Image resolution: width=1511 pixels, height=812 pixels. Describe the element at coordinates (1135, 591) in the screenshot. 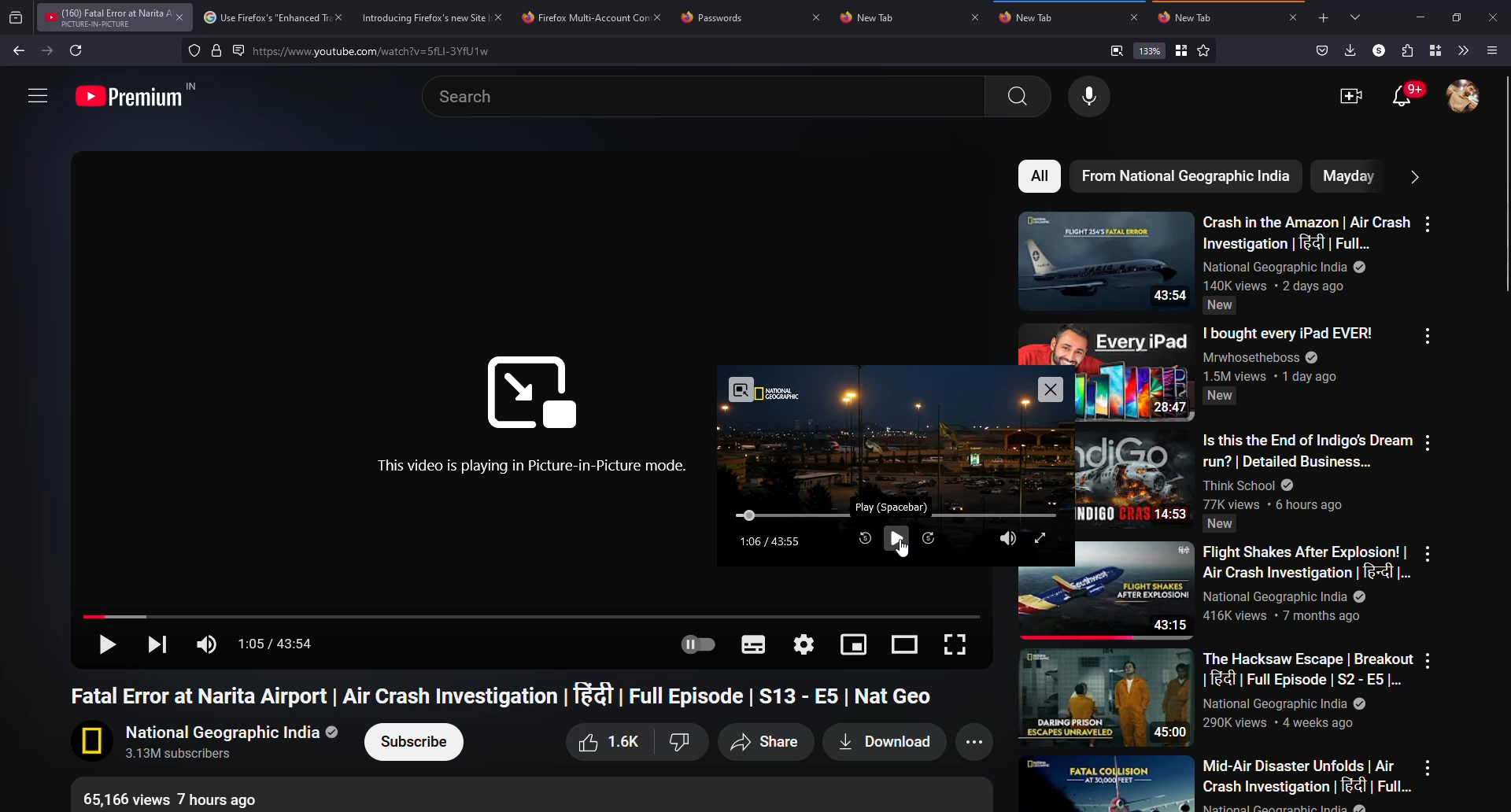

I see `Video thumbnail` at that location.